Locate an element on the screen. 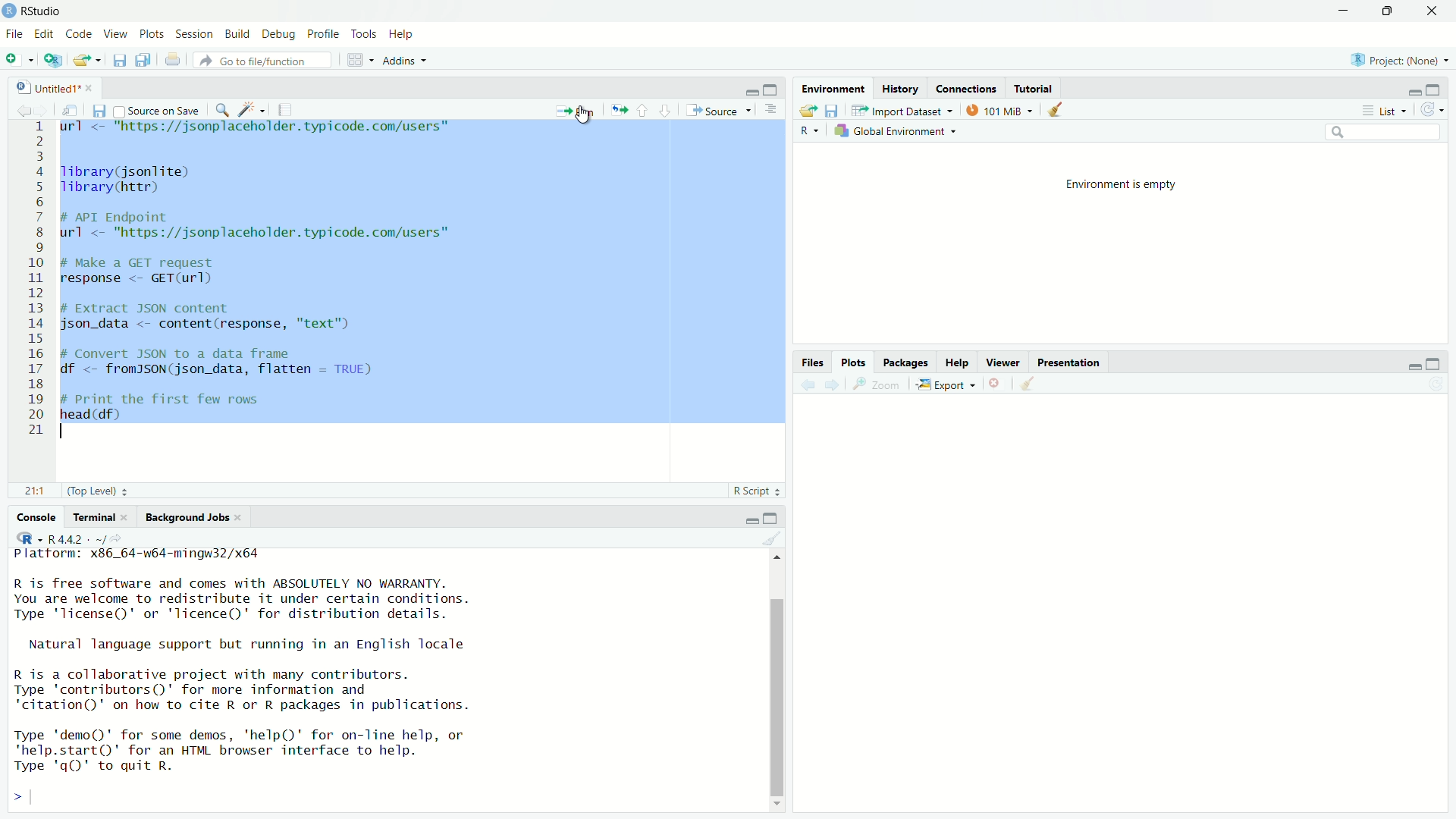 The height and width of the screenshot is (819, 1456). Connections is located at coordinates (965, 89).